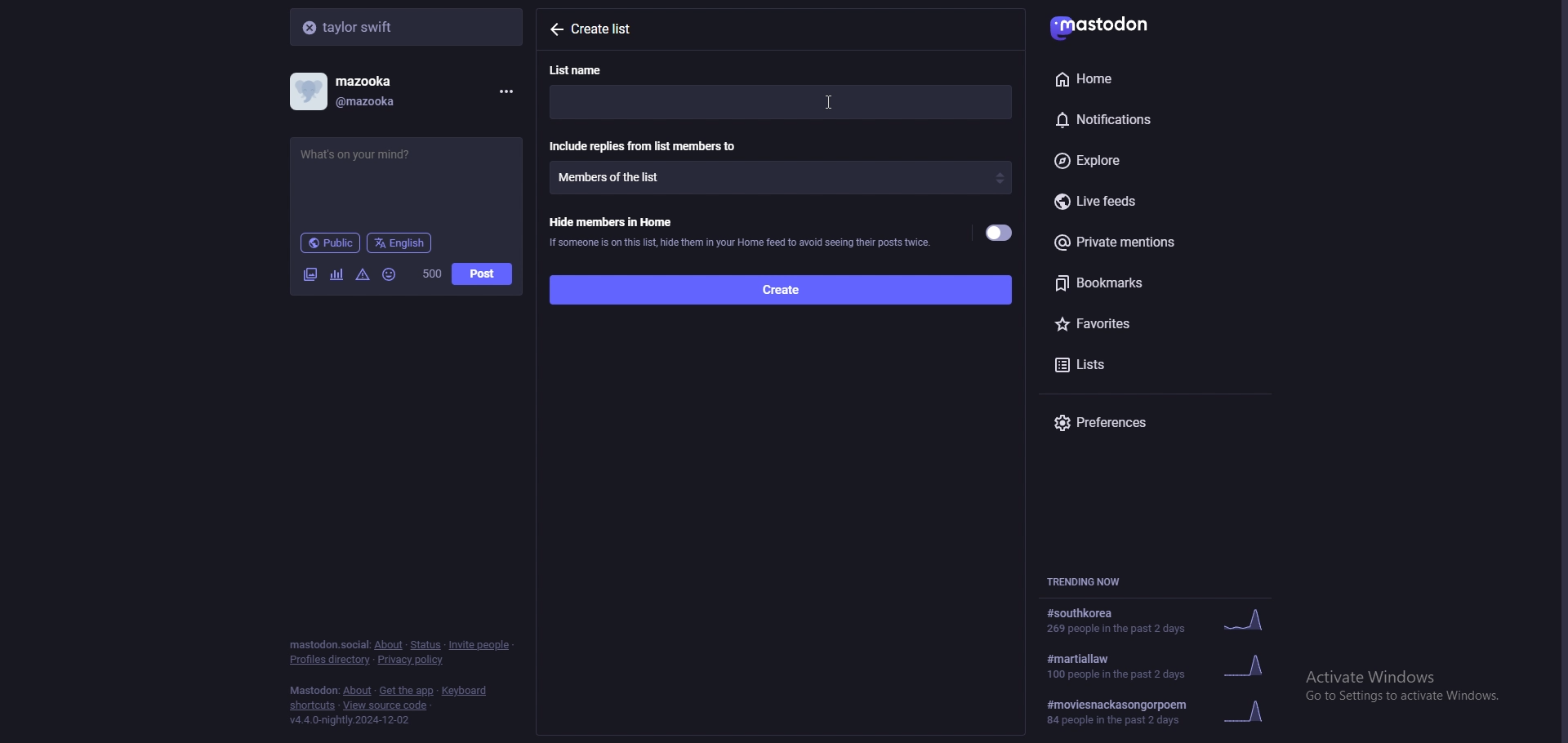 This screenshot has height=743, width=1568. Describe the element at coordinates (781, 177) in the screenshot. I see `include replies from` at that location.